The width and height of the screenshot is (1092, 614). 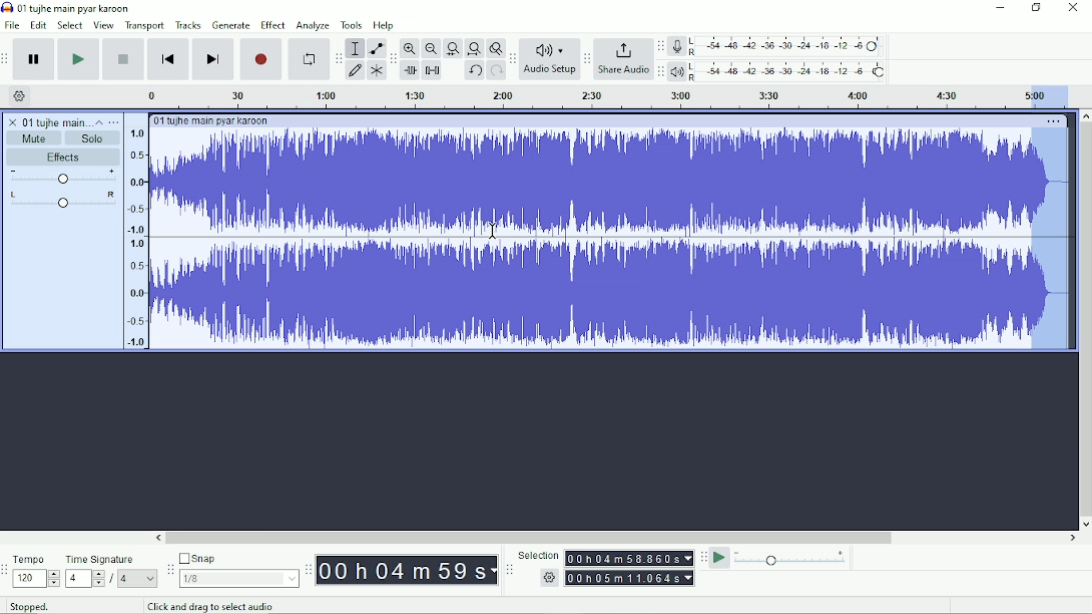 I want to click on Edit, so click(x=39, y=26).